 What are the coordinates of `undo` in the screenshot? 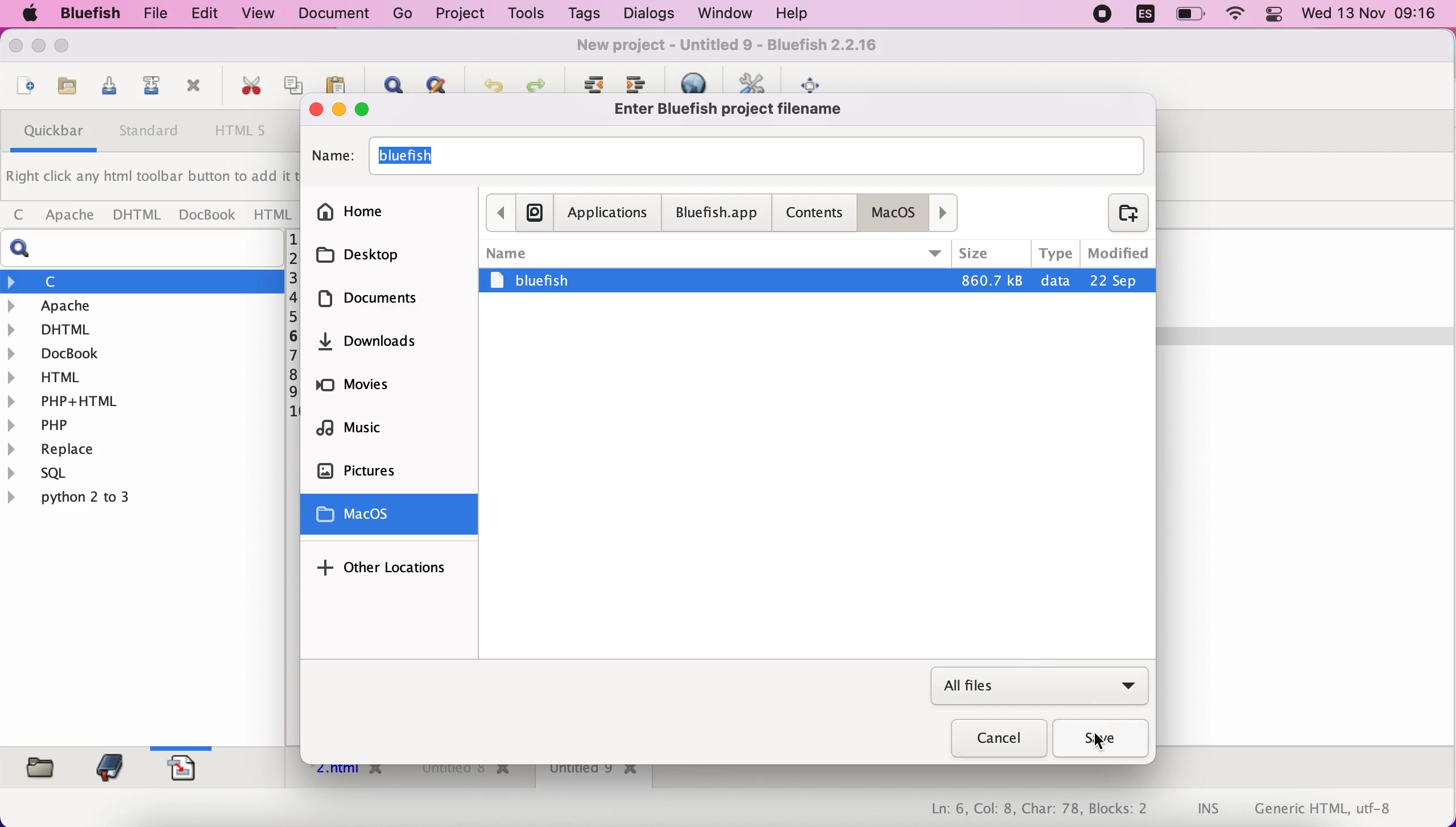 It's located at (488, 82).